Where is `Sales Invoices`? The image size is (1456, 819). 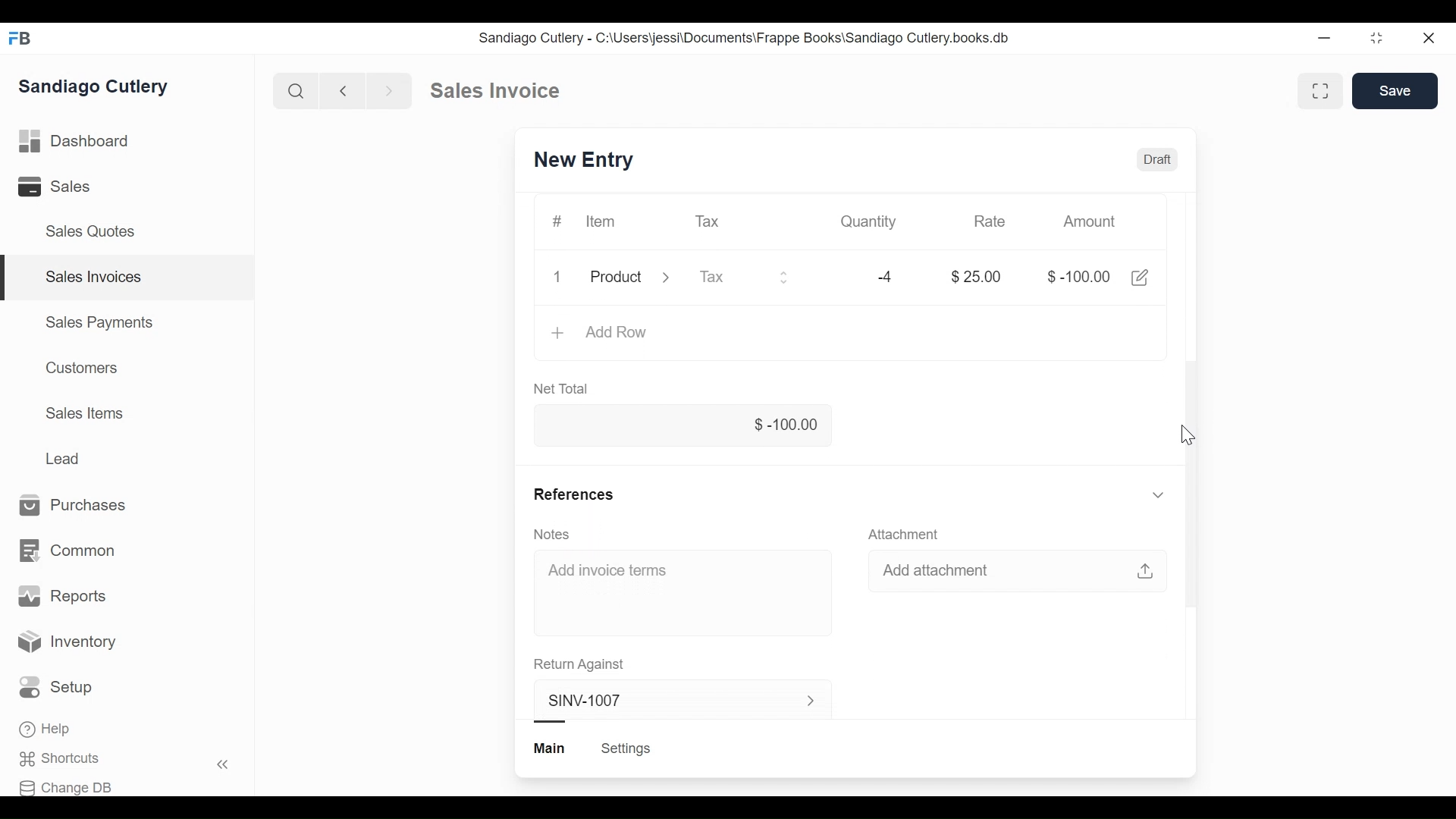
Sales Invoices is located at coordinates (95, 277).